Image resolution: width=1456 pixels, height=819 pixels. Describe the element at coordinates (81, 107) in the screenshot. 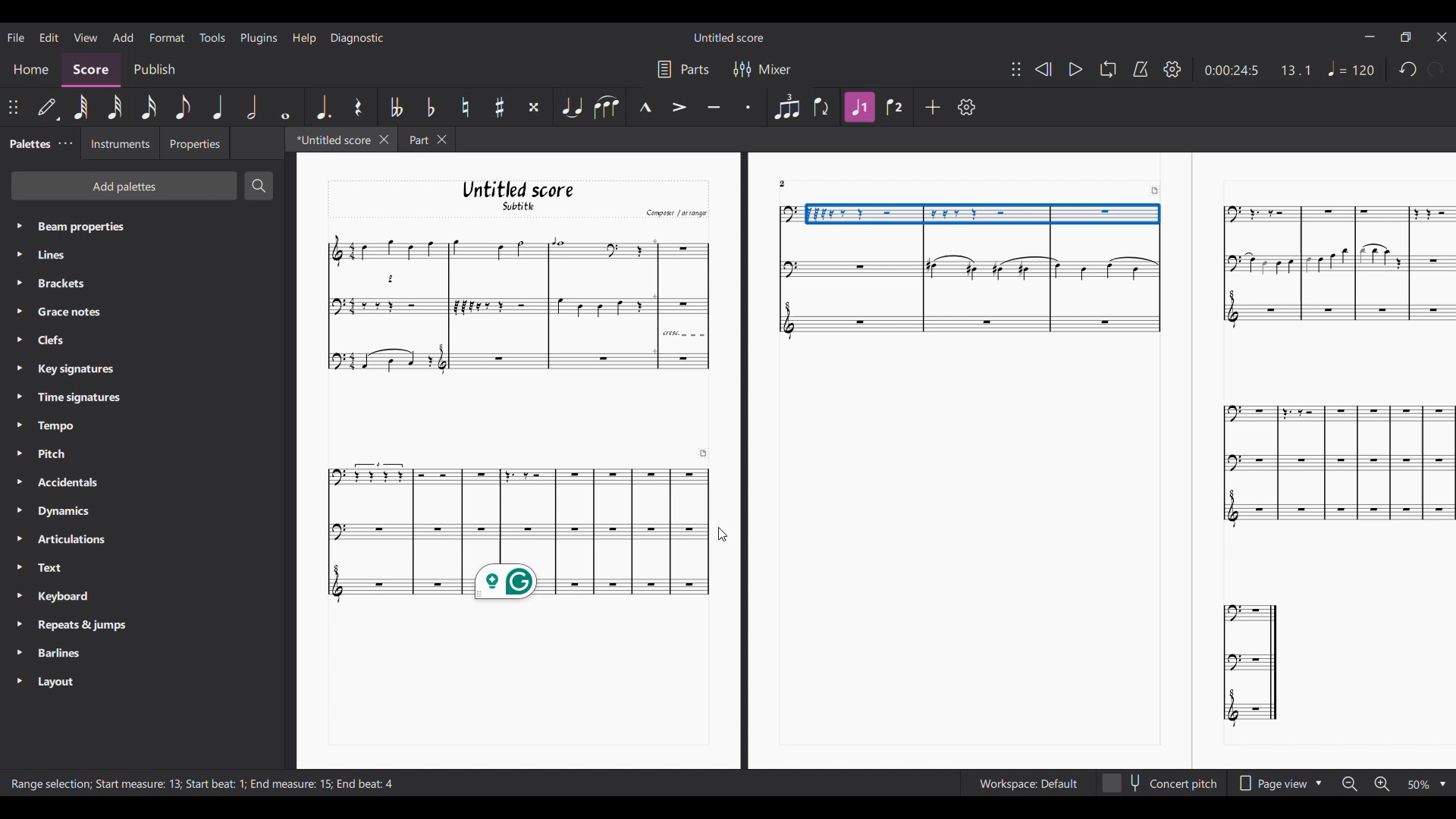

I see `64th note` at that location.